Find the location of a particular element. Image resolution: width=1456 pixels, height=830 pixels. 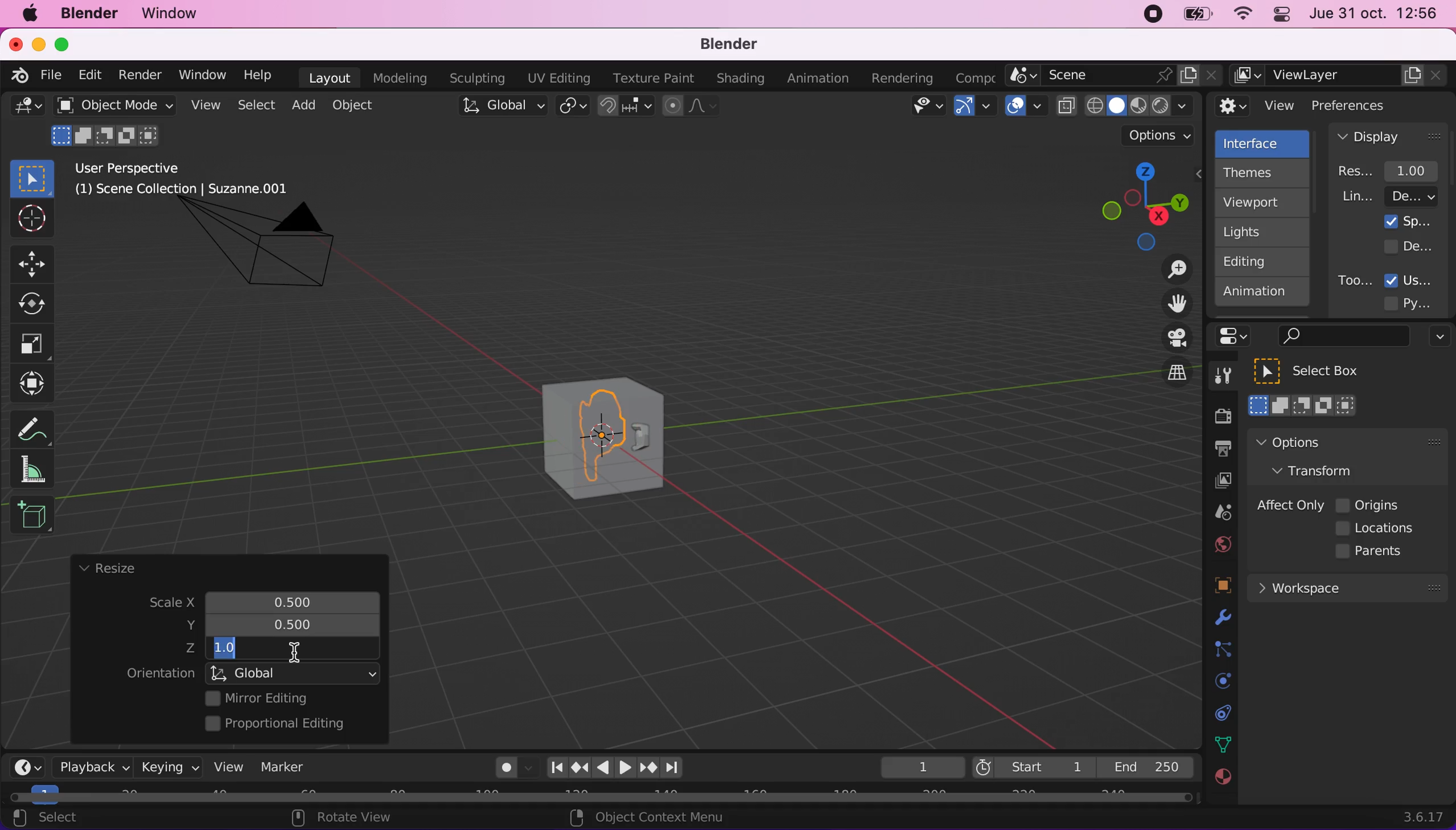

selected z is located at coordinates (233, 649).